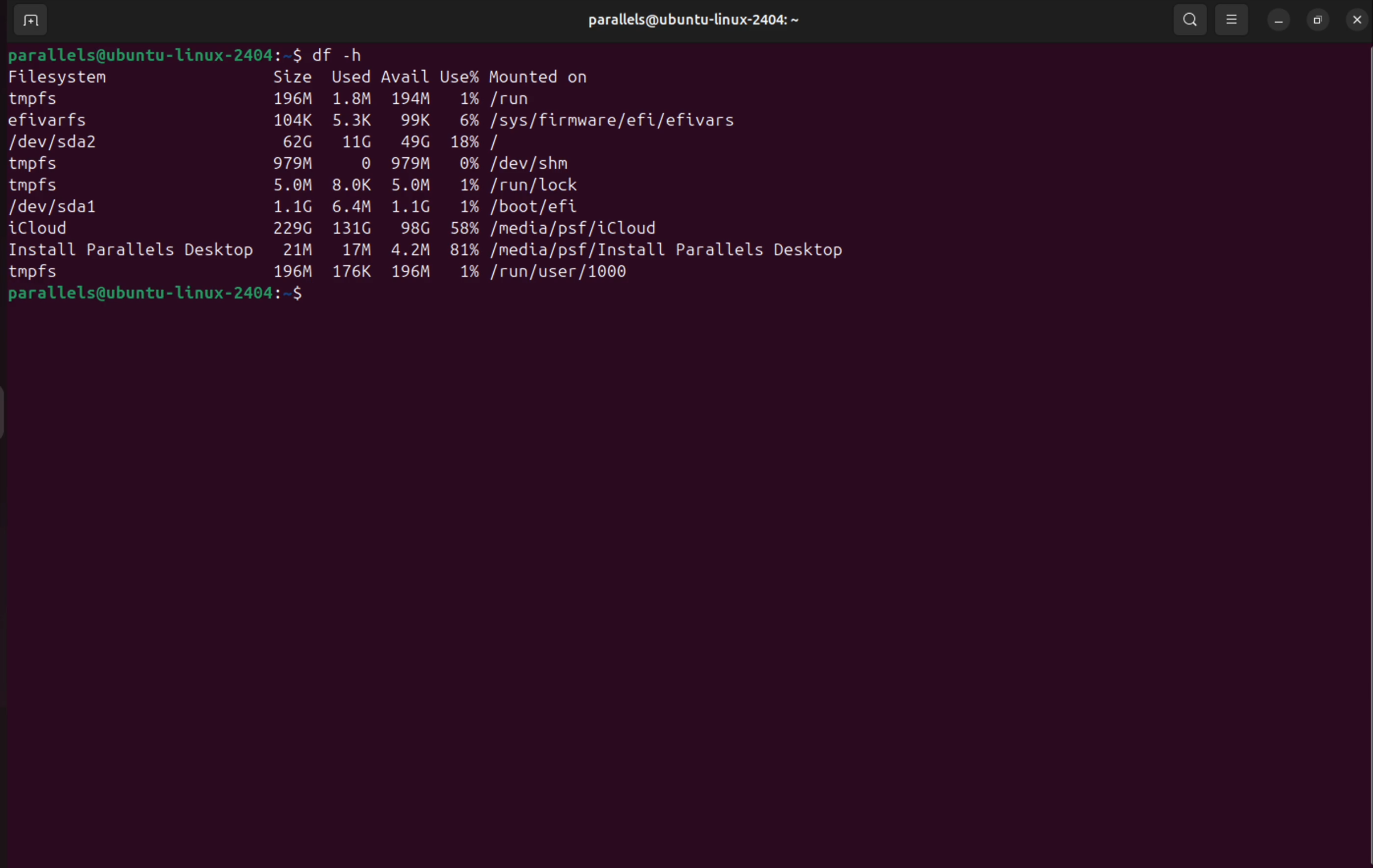  I want to click on 1%, so click(467, 274).